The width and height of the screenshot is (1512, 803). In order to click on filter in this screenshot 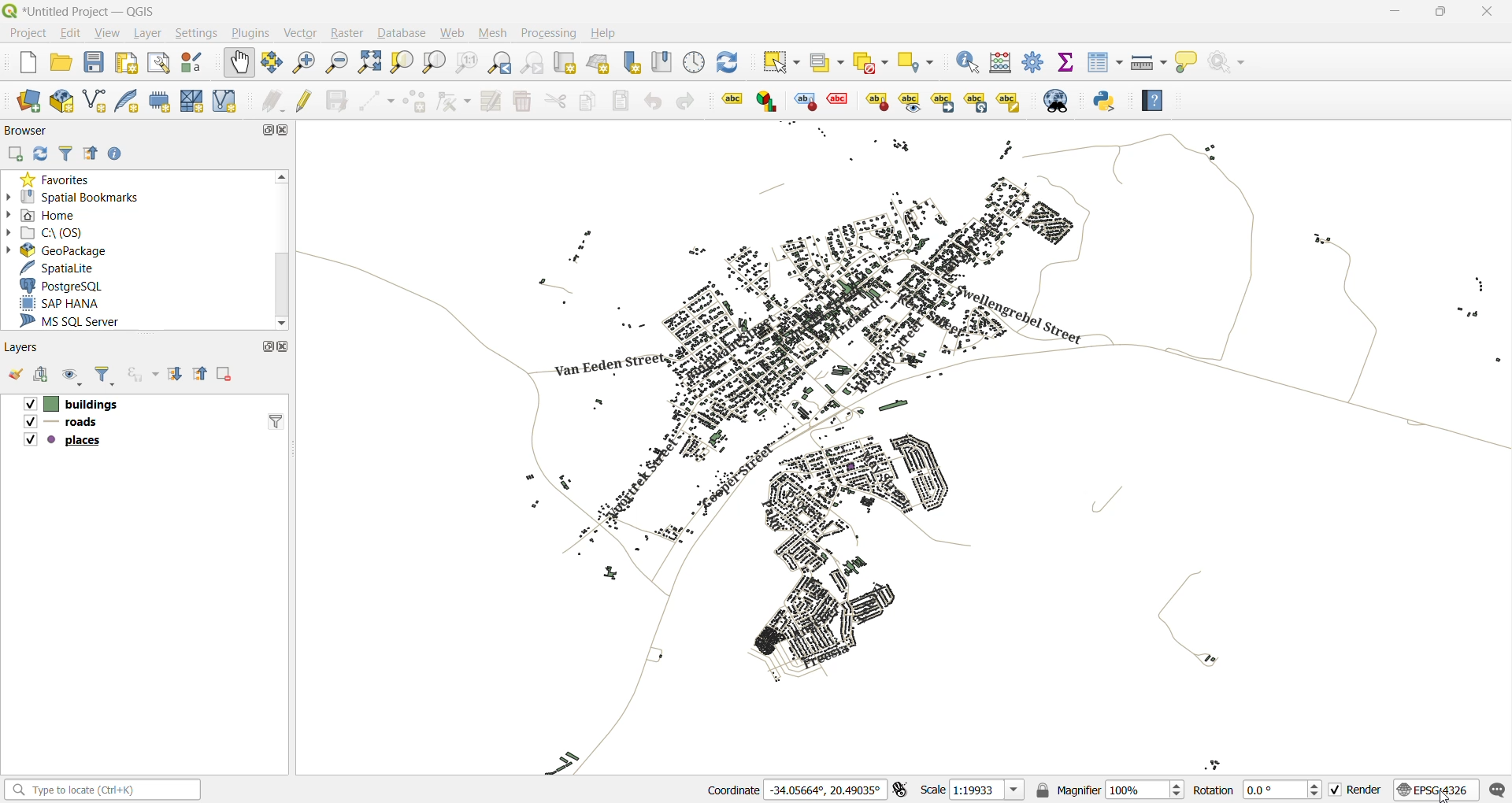, I will do `click(67, 154)`.